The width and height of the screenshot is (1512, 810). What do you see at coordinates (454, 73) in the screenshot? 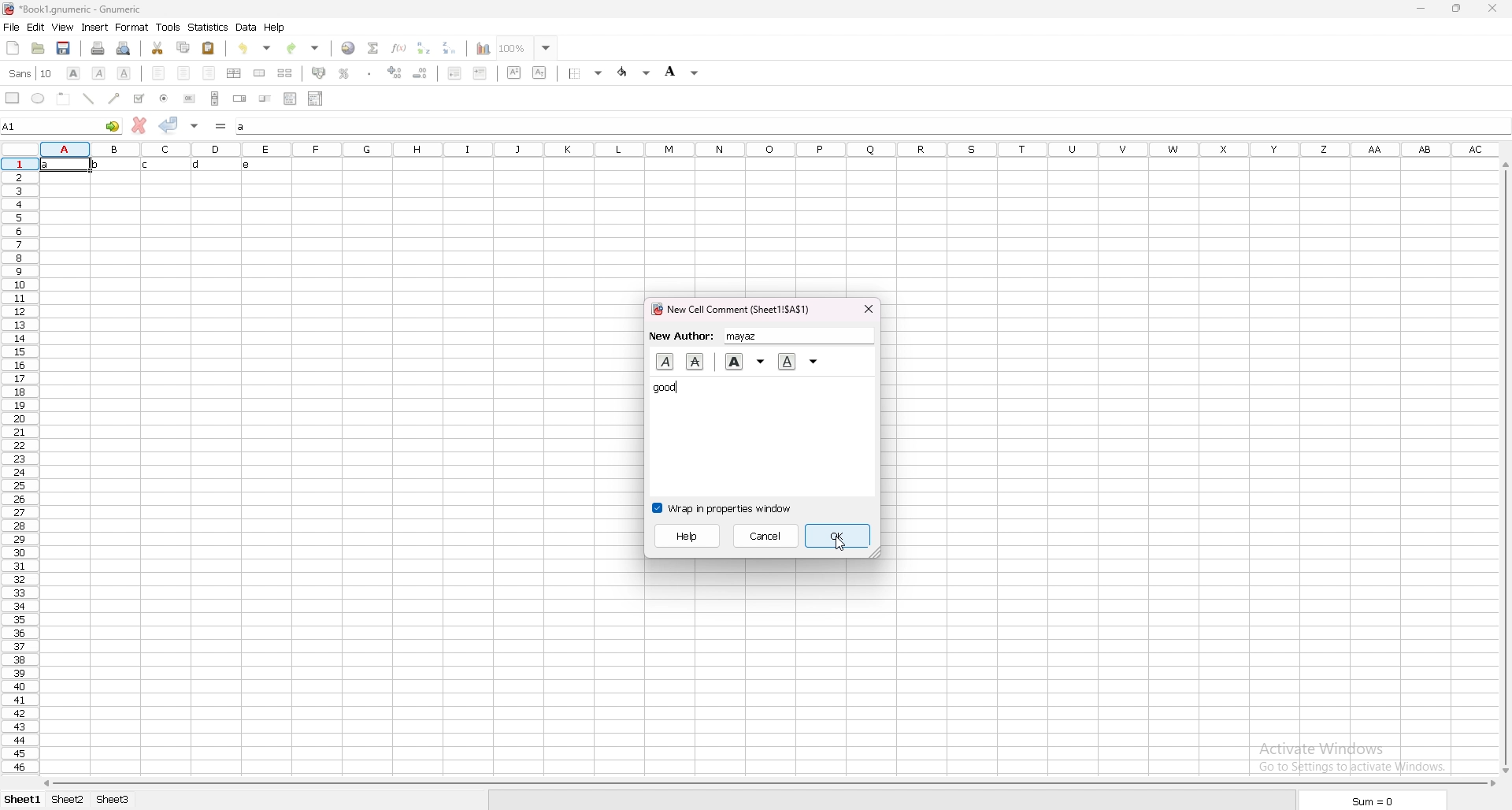
I see `deecrease indent` at bounding box center [454, 73].